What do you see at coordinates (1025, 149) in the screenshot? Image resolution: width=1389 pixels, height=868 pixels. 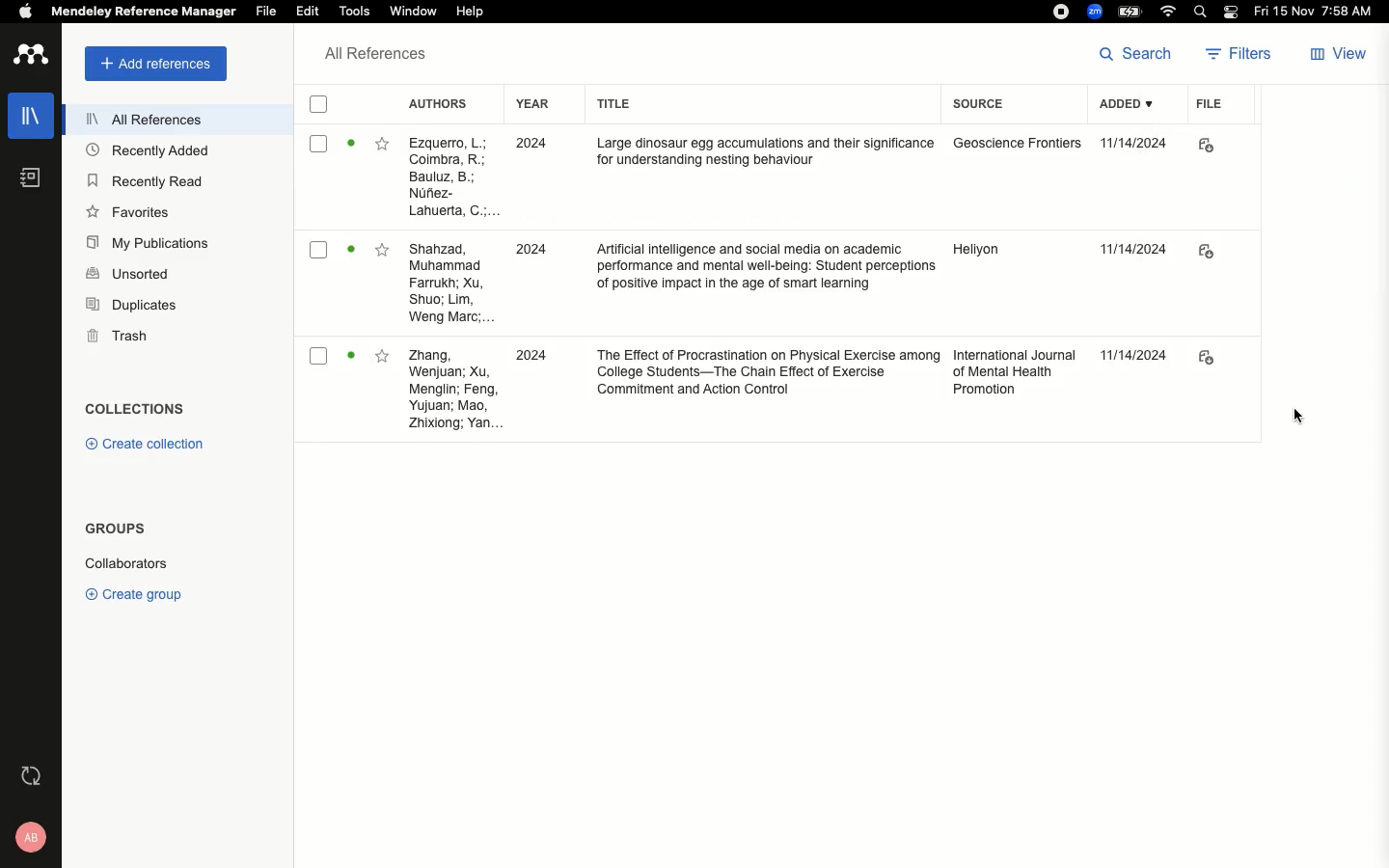 I see `Geoscience frontiers` at bounding box center [1025, 149].